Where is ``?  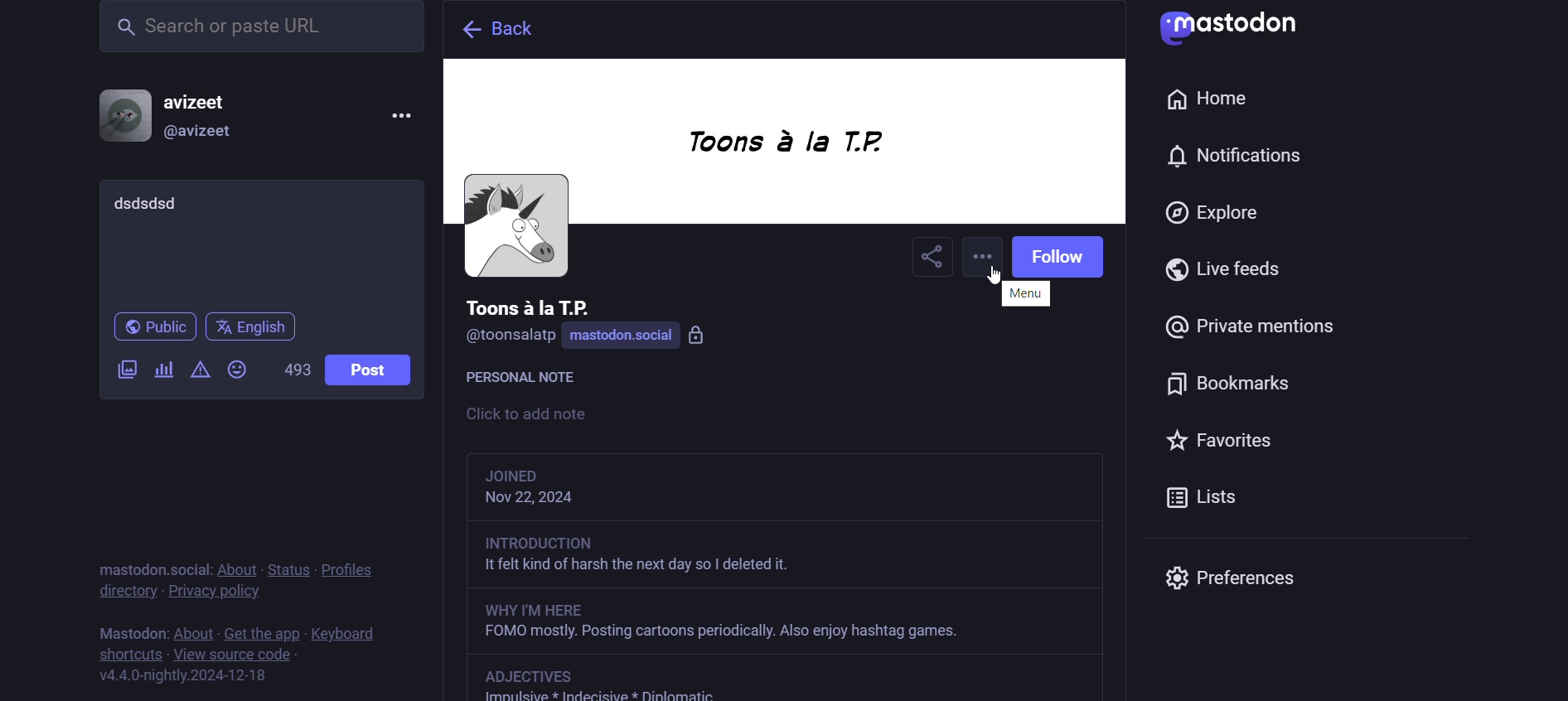
 is located at coordinates (781, 623).